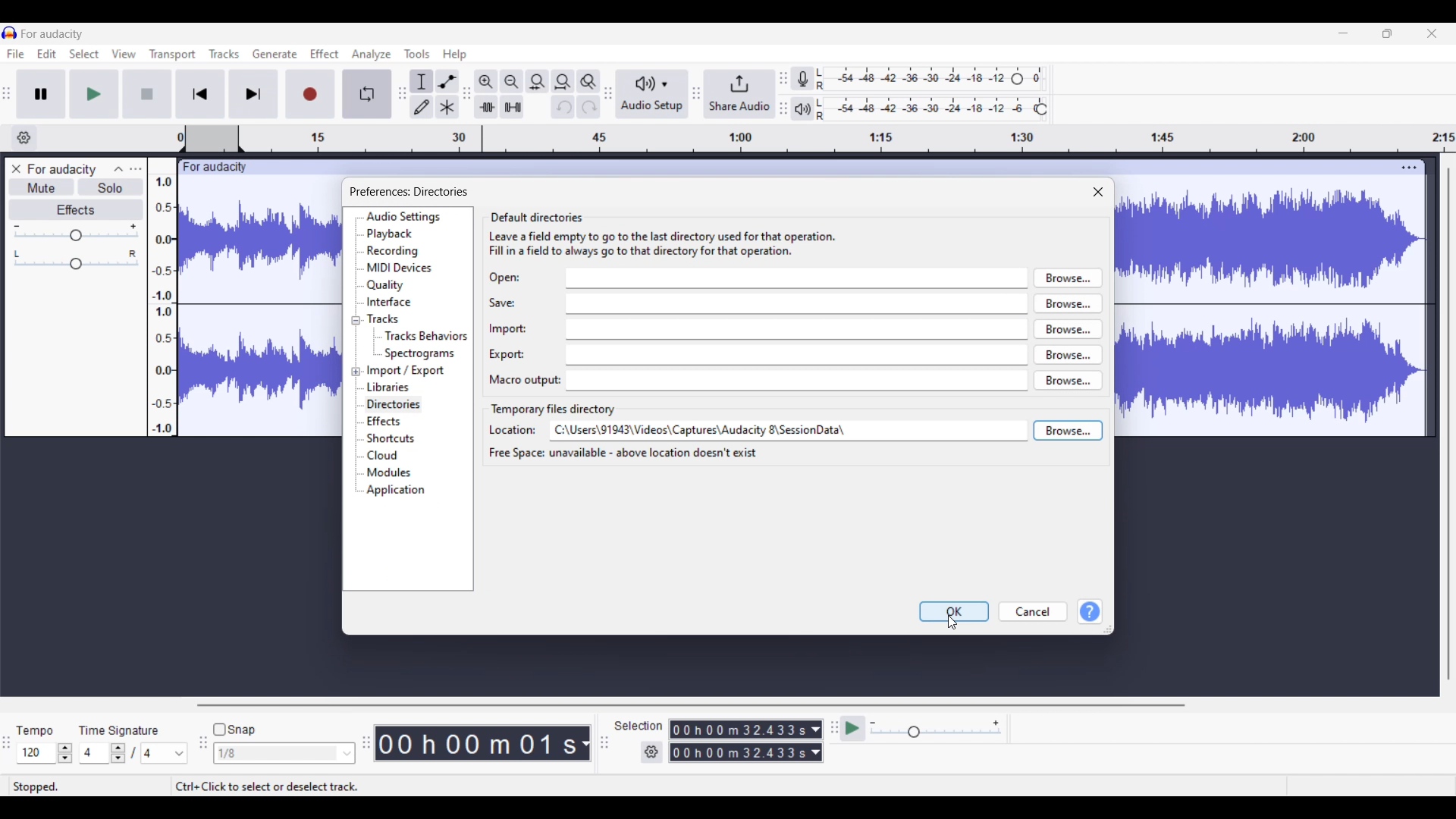  Describe the element at coordinates (1388, 33) in the screenshot. I see `Show in smaller tab` at that location.